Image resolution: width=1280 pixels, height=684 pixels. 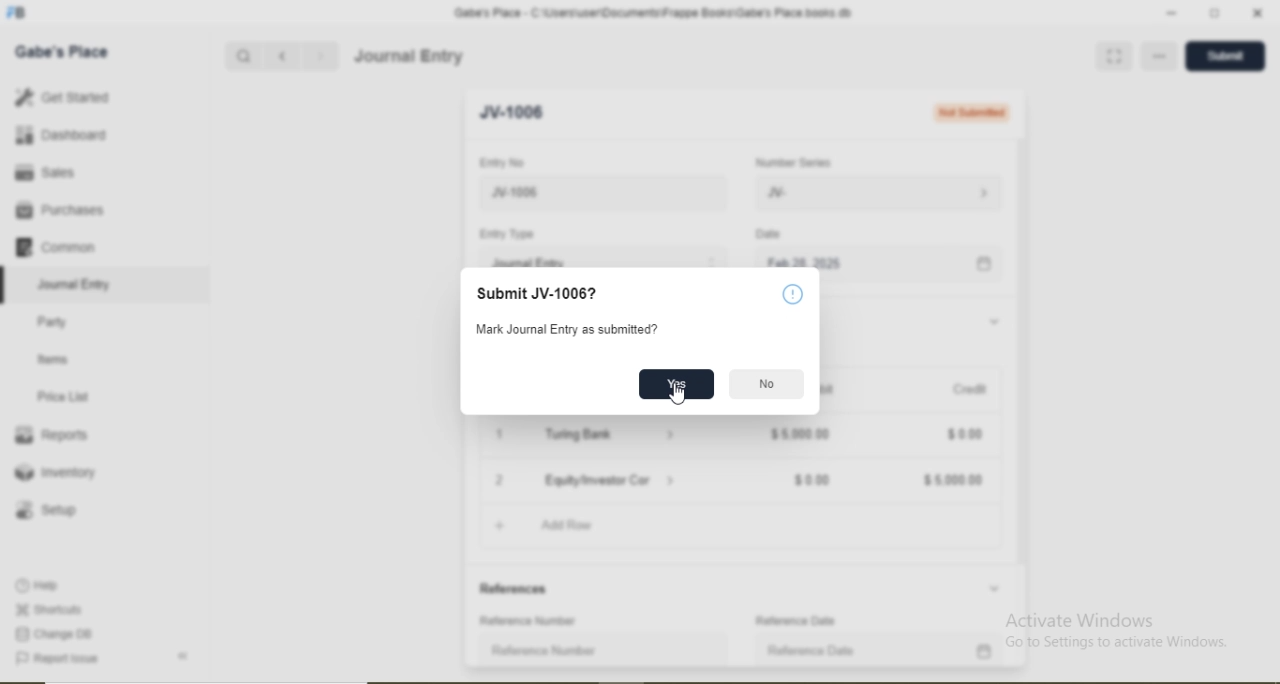 What do you see at coordinates (678, 397) in the screenshot?
I see `Cursor` at bounding box center [678, 397].